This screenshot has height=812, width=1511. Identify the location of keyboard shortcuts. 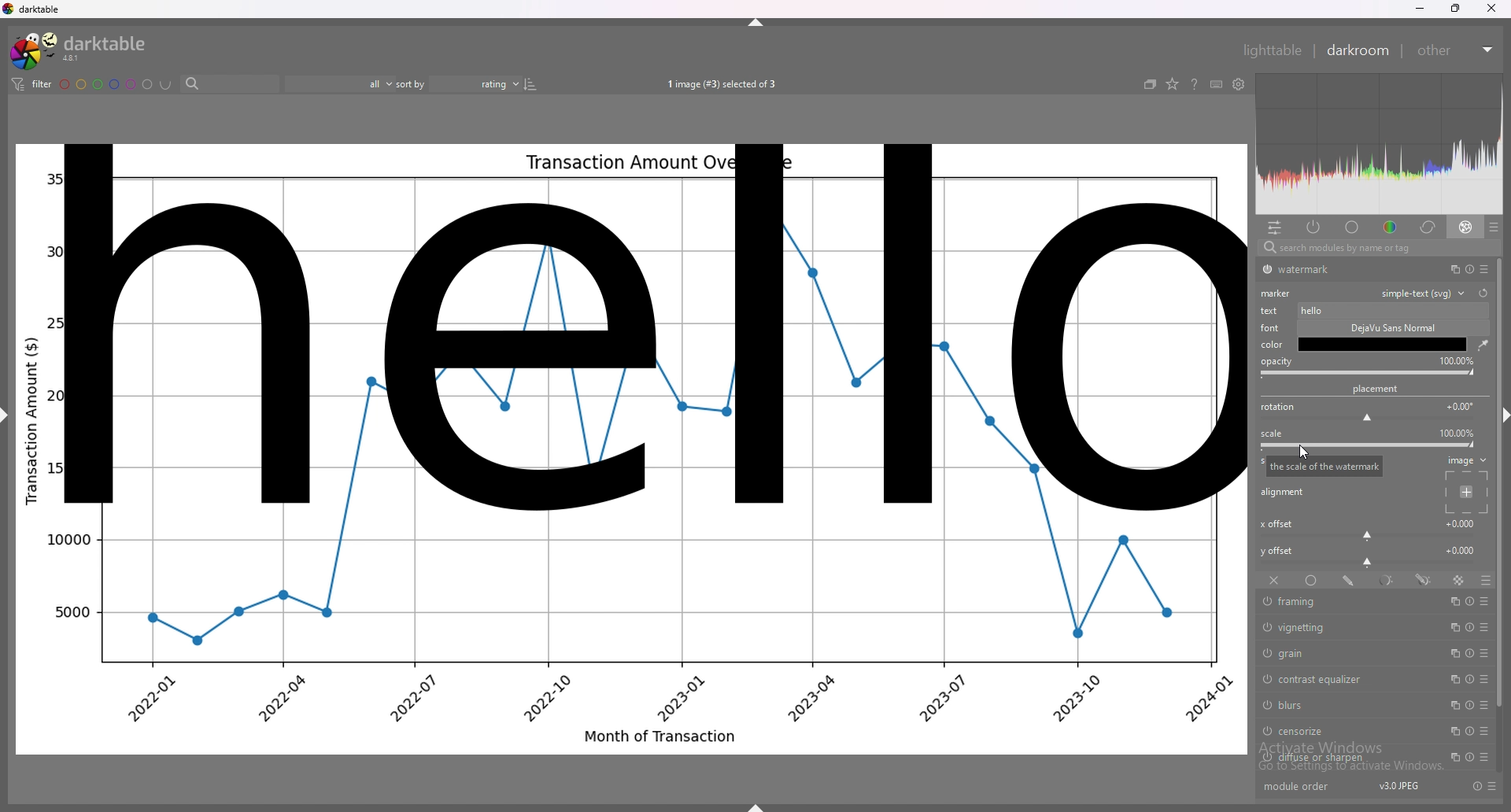
(1216, 84).